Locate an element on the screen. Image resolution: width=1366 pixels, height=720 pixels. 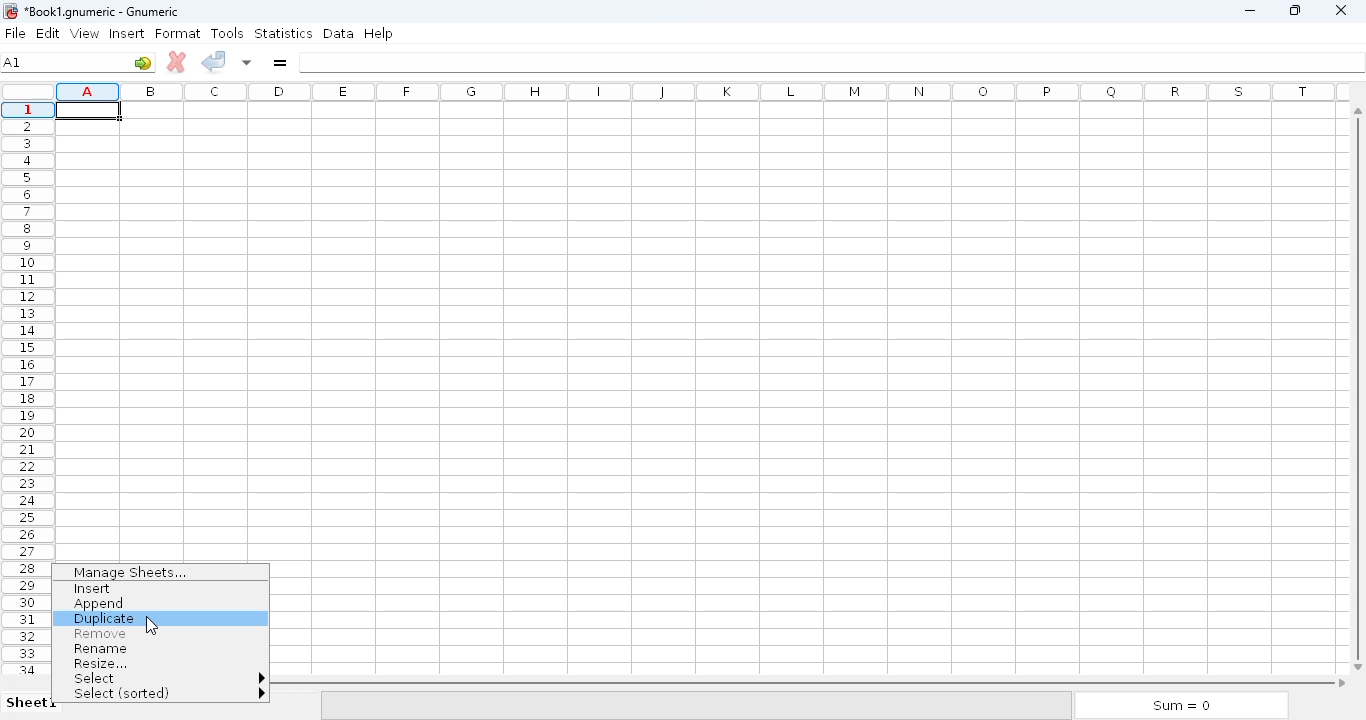
view is located at coordinates (85, 33).